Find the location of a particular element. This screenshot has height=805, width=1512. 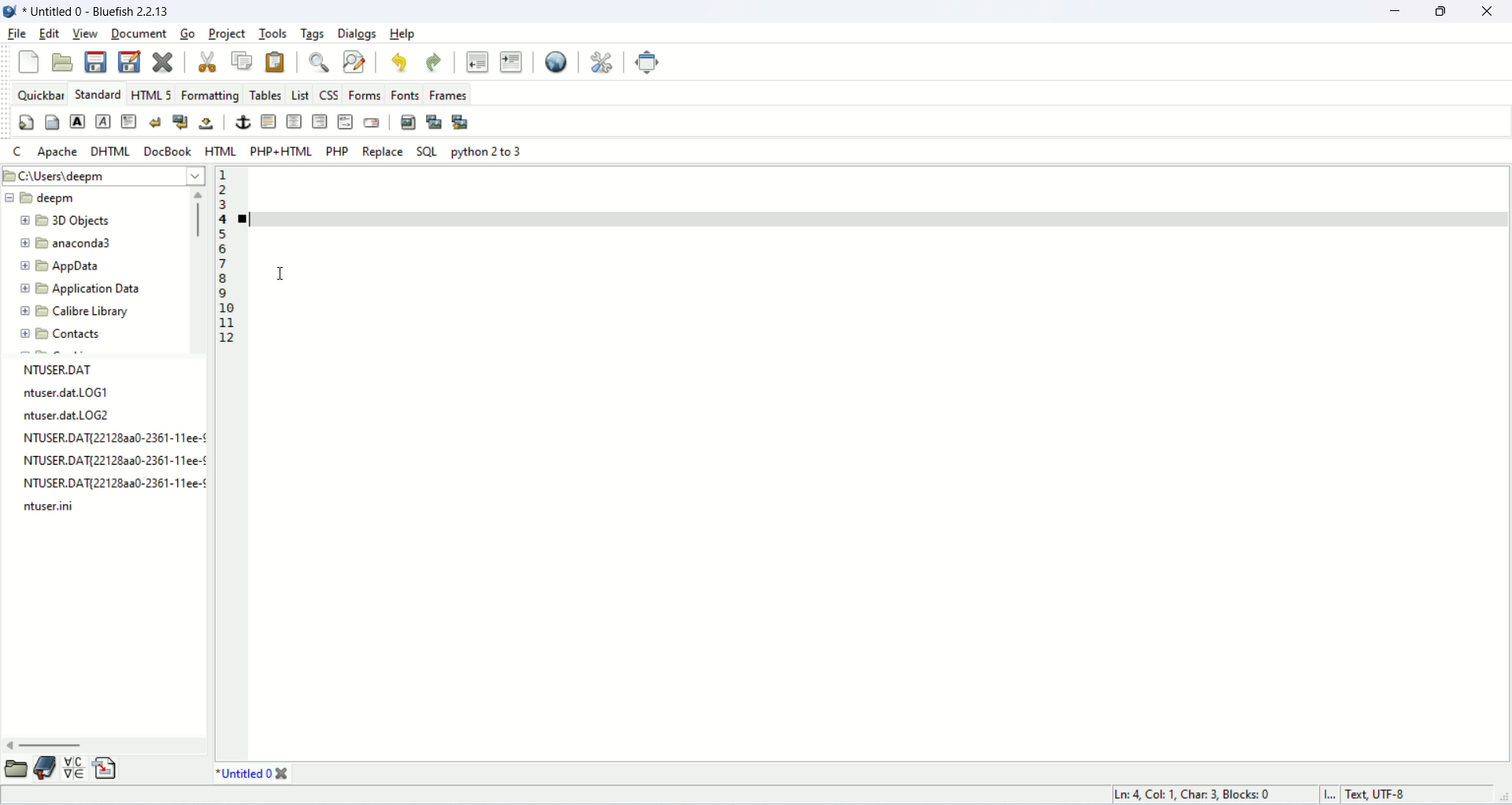

quick bar is located at coordinates (38, 92).